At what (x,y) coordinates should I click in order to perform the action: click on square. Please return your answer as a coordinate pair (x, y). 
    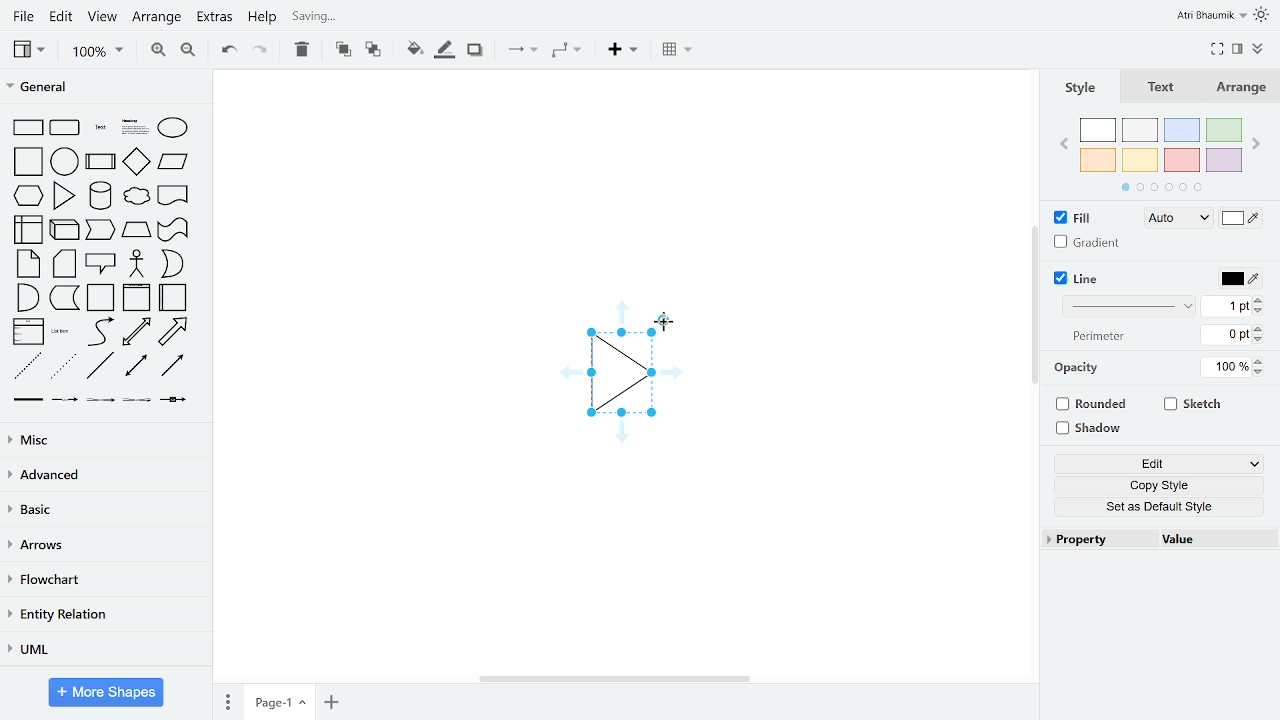
    Looking at the image, I should click on (25, 161).